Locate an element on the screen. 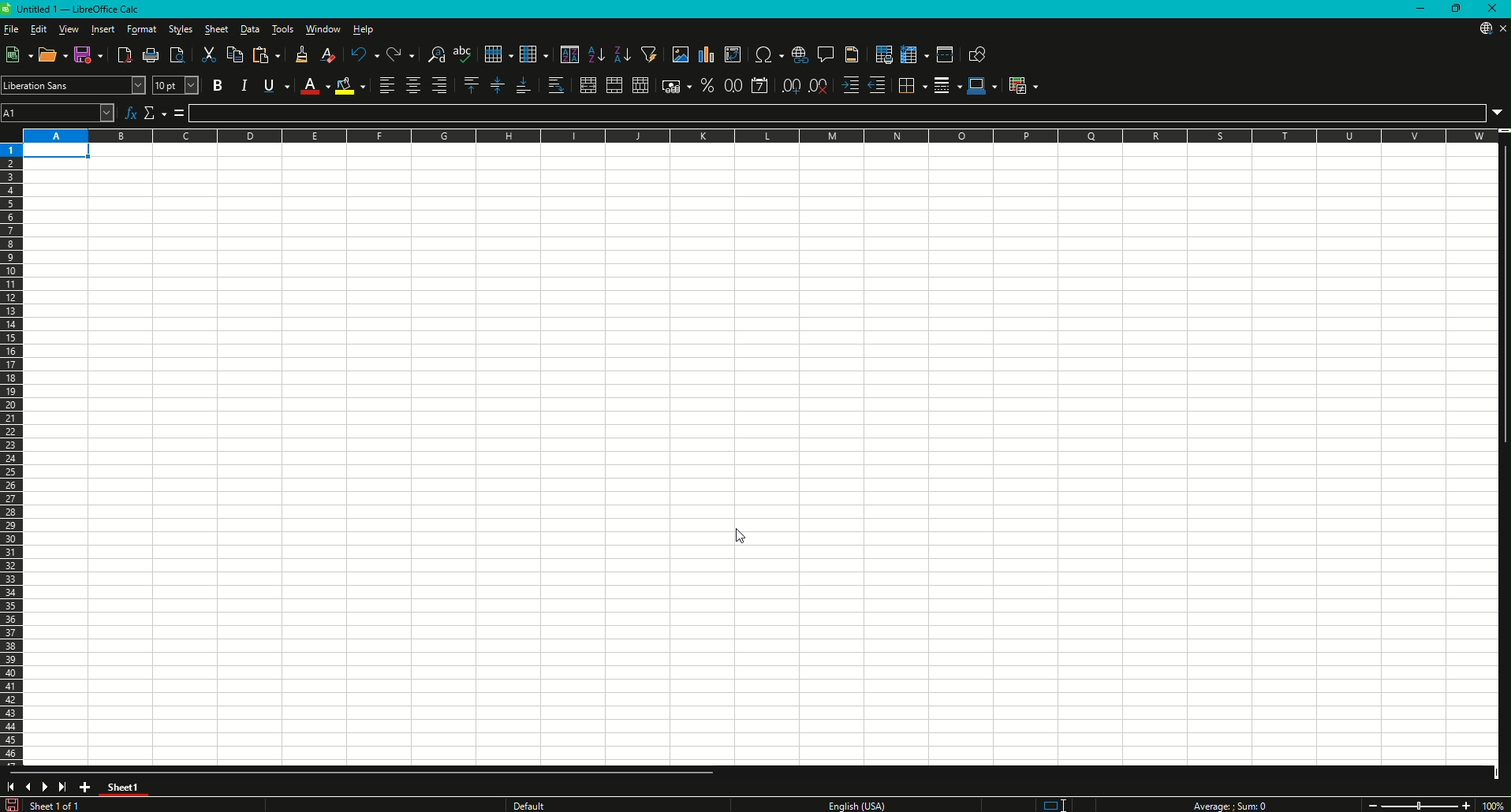 The height and width of the screenshot is (812, 1511). Column names is located at coordinates (759, 136).